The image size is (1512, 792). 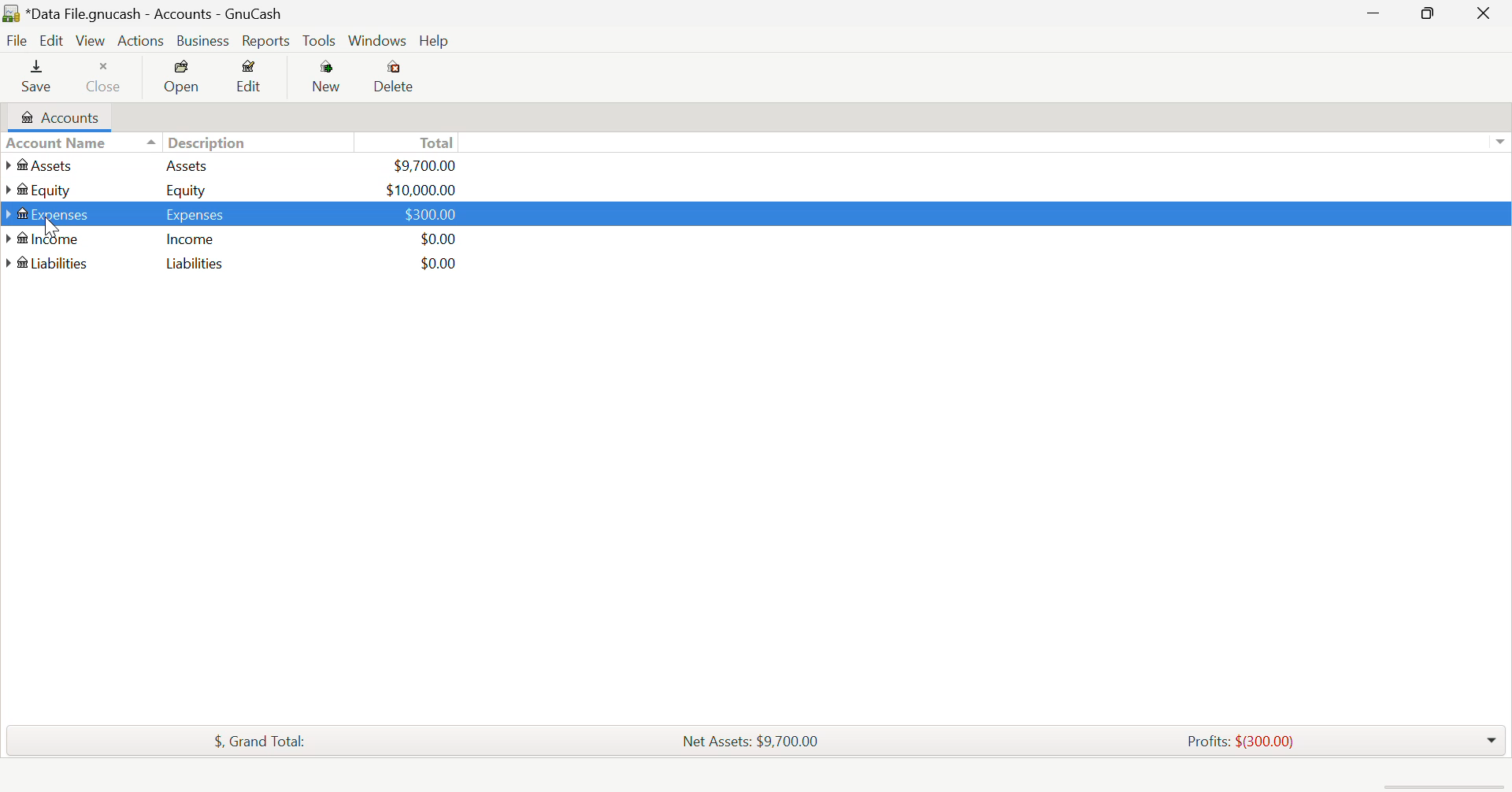 What do you see at coordinates (1244, 740) in the screenshot?
I see `Profits: $(300.00)` at bounding box center [1244, 740].